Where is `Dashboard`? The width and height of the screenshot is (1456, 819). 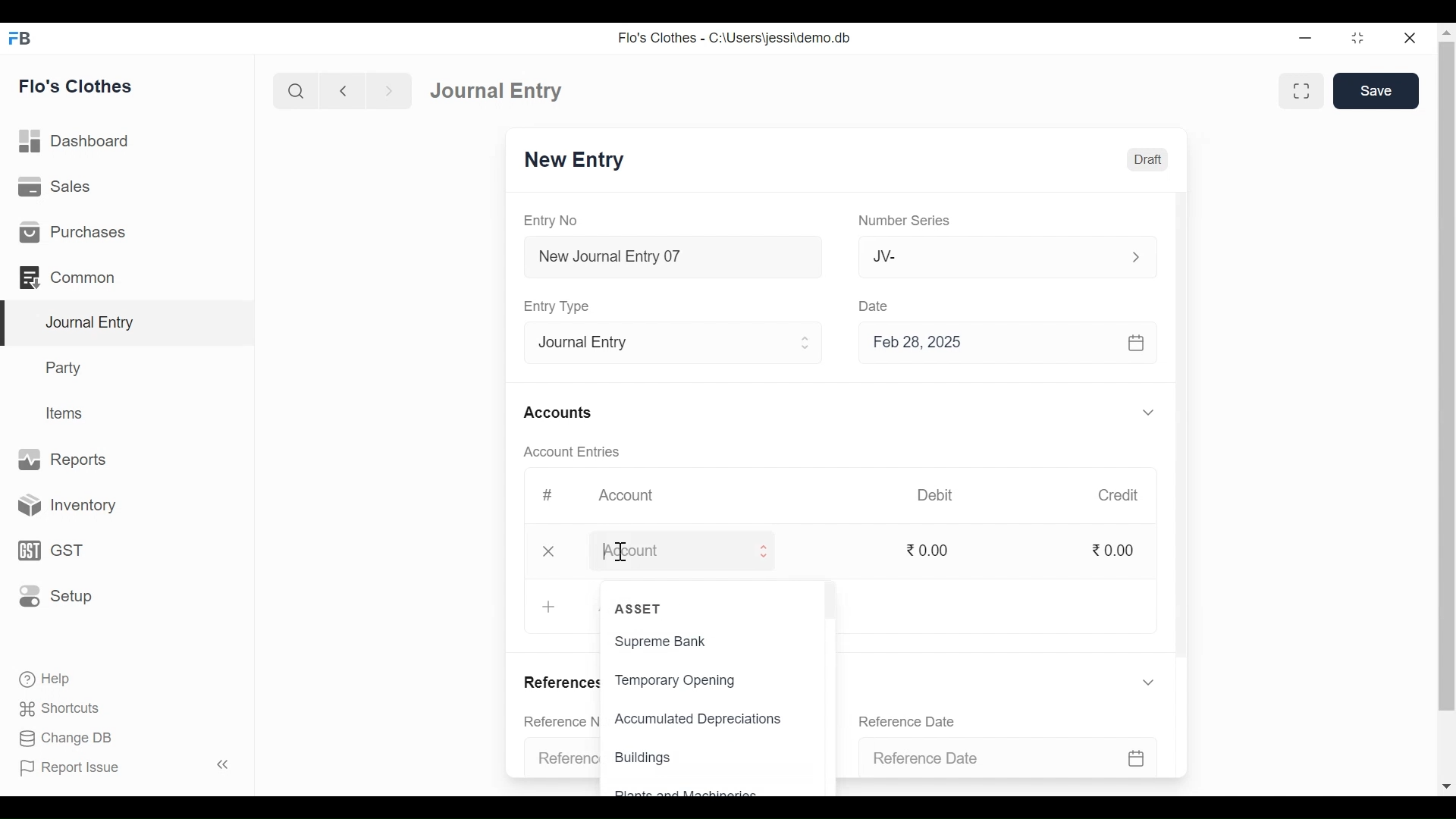
Dashboard is located at coordinates (75, 140).